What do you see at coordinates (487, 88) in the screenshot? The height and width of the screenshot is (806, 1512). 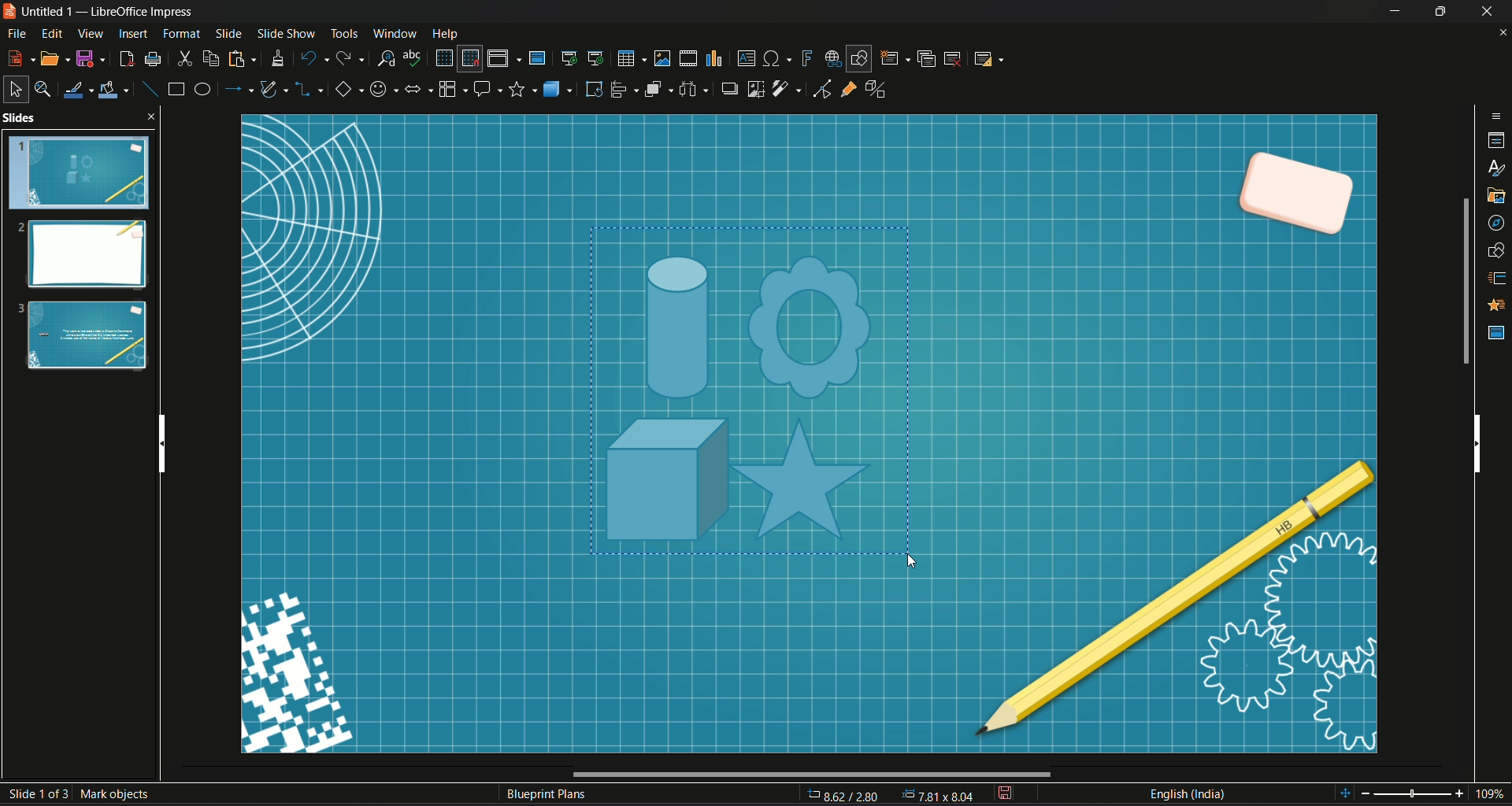 I see `callout share` at bounding box center [487, 88].